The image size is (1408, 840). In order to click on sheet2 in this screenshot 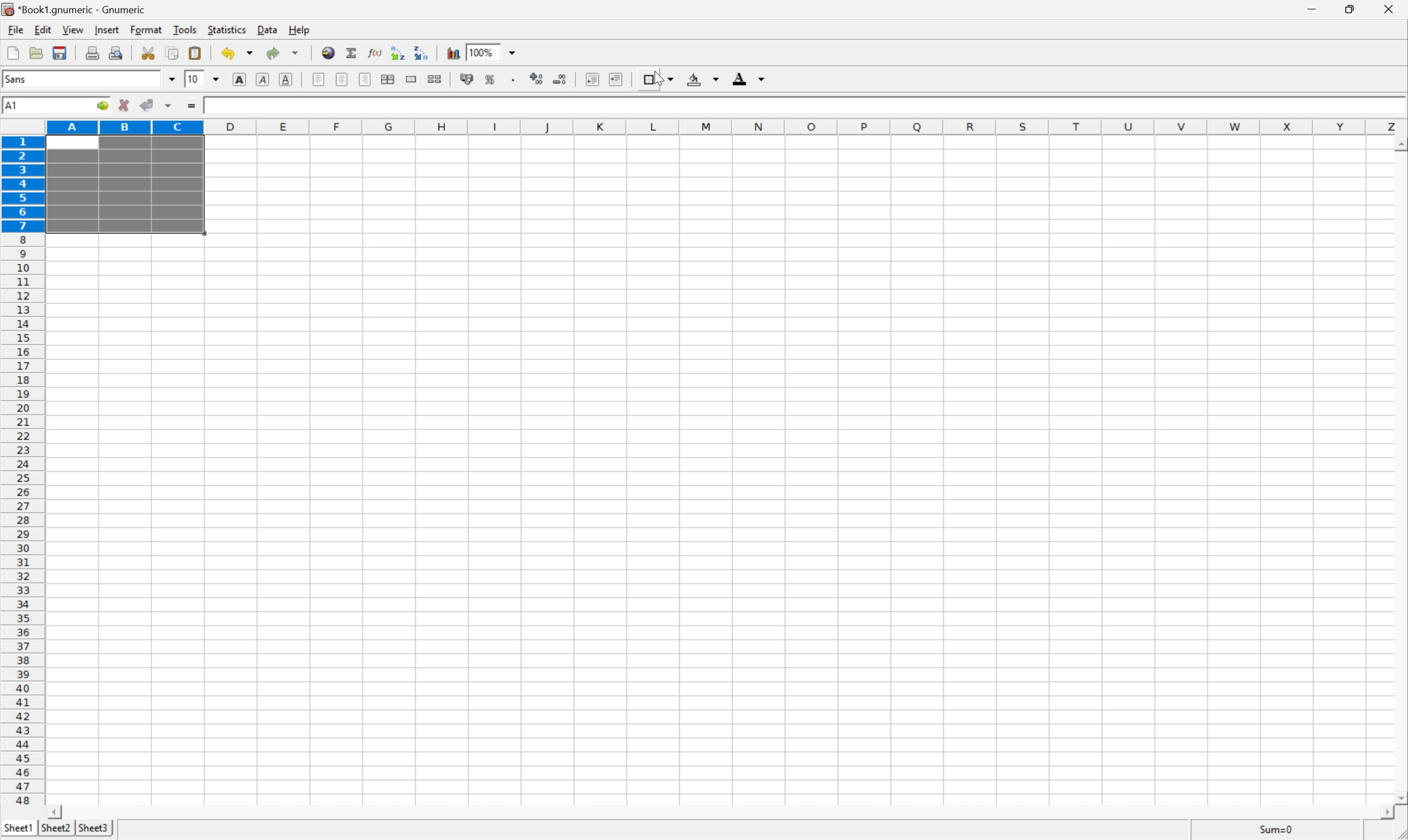, I will do `click(54, 831)`.